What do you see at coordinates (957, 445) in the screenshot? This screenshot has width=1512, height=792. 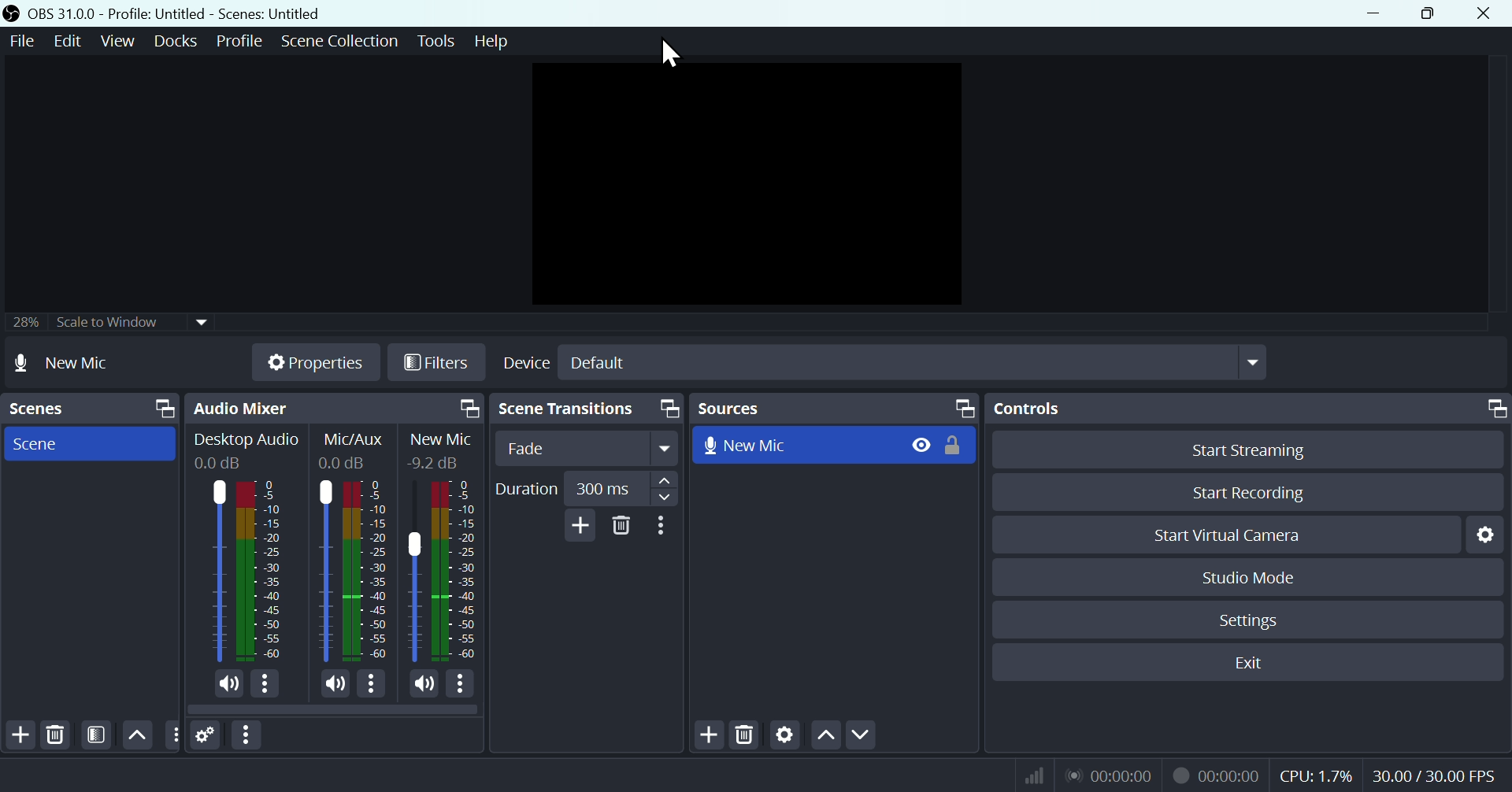 I see `(un)lock` at bounding box center [957, 445].